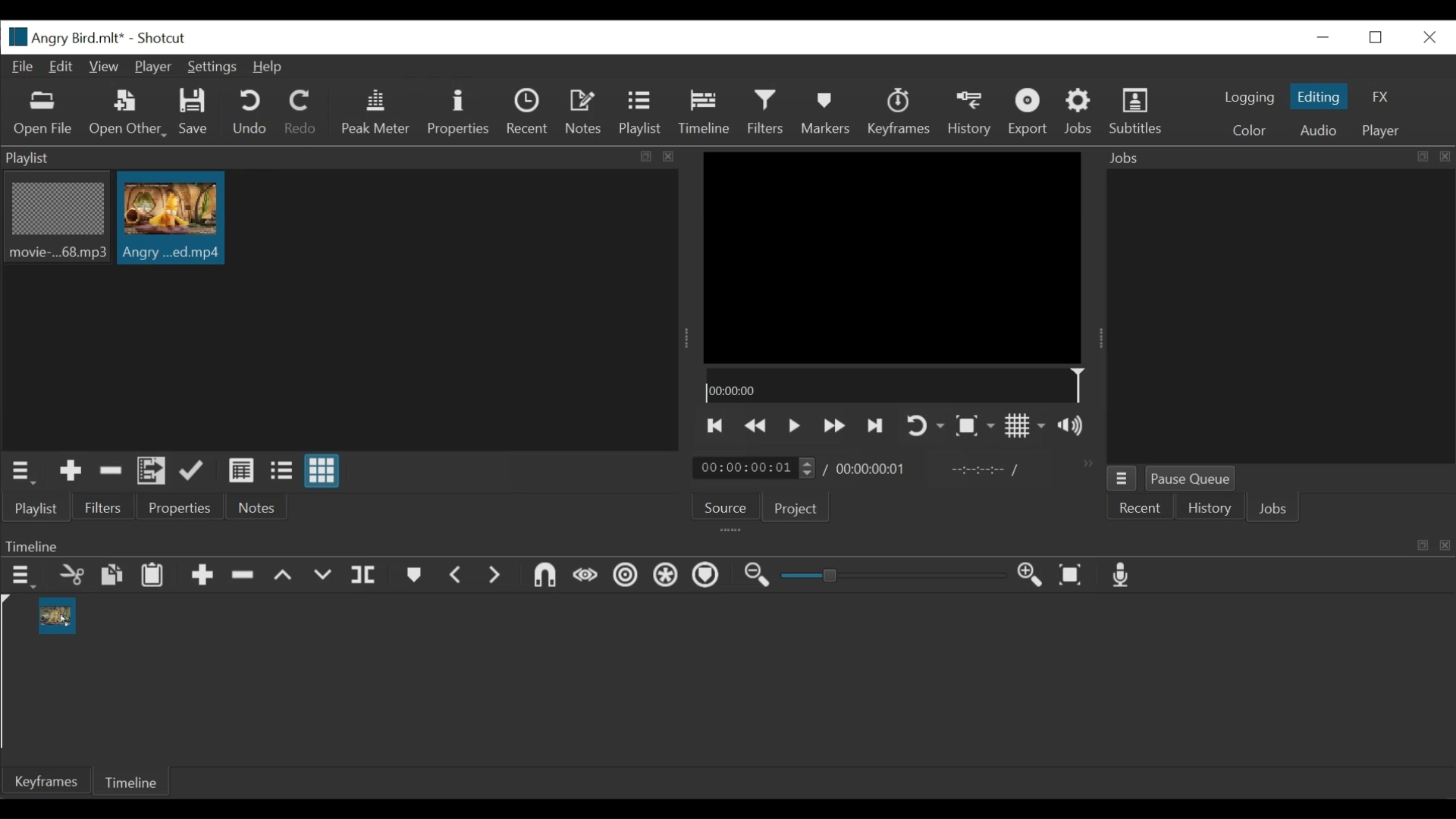 Image resolution: width=1456 pixels, height=819 pixels. Describe the element at coordinates (797, 509) in the screenshot. I see `Project` at that location.